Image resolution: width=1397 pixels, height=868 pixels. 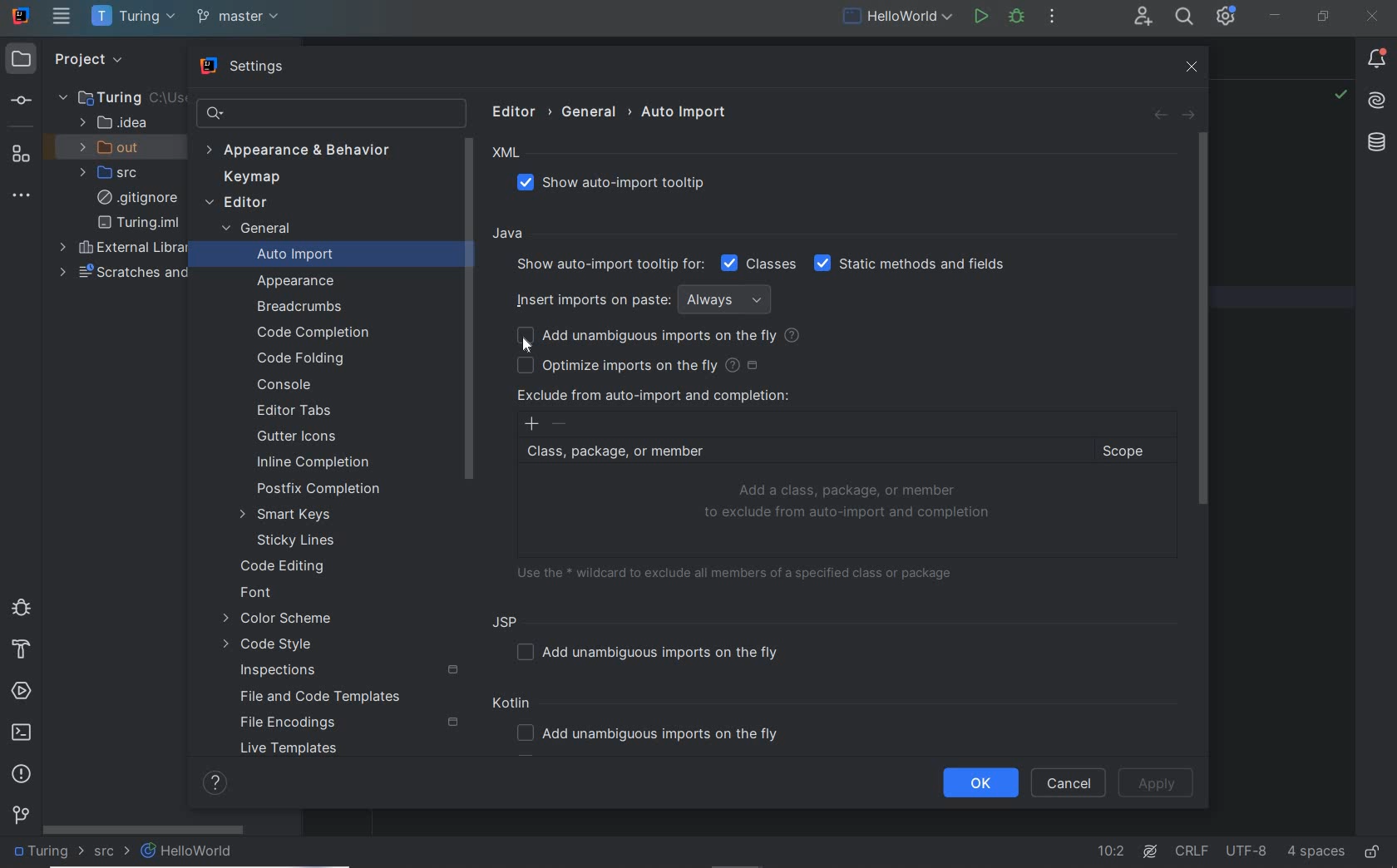 I want to click on EDITOR TABS, so click(x=299, y=412).